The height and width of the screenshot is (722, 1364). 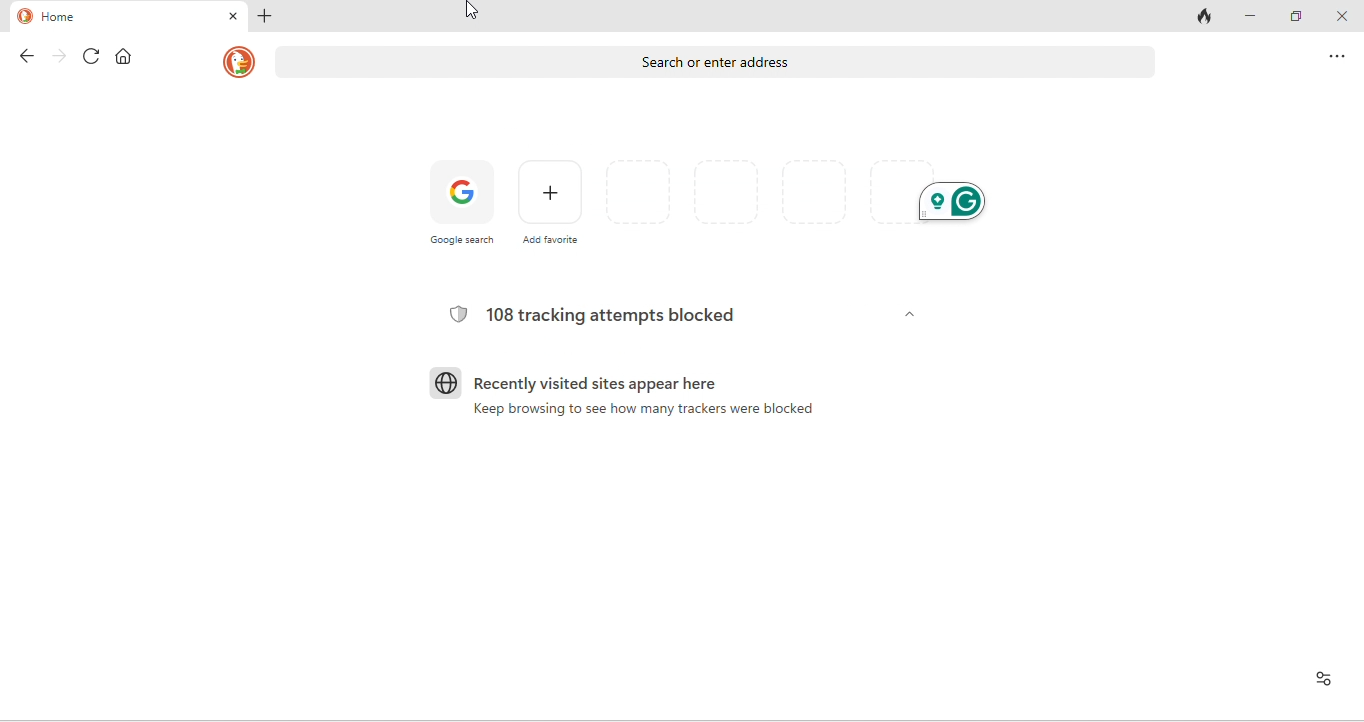 I want to click on home, so click(x=73, y=16).